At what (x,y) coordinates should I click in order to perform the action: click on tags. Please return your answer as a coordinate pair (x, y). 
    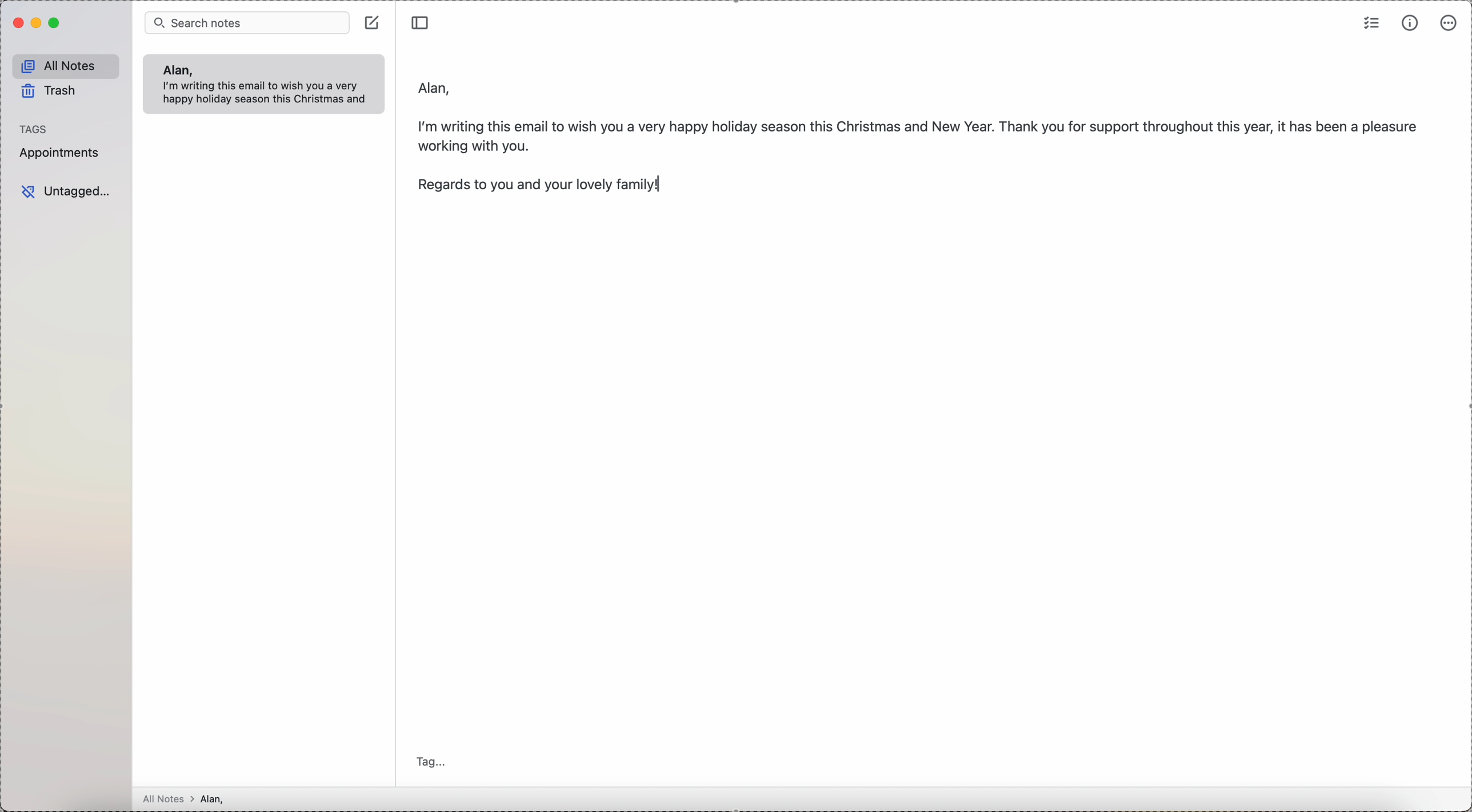
    Looking at the image, I should click on (34, 129).